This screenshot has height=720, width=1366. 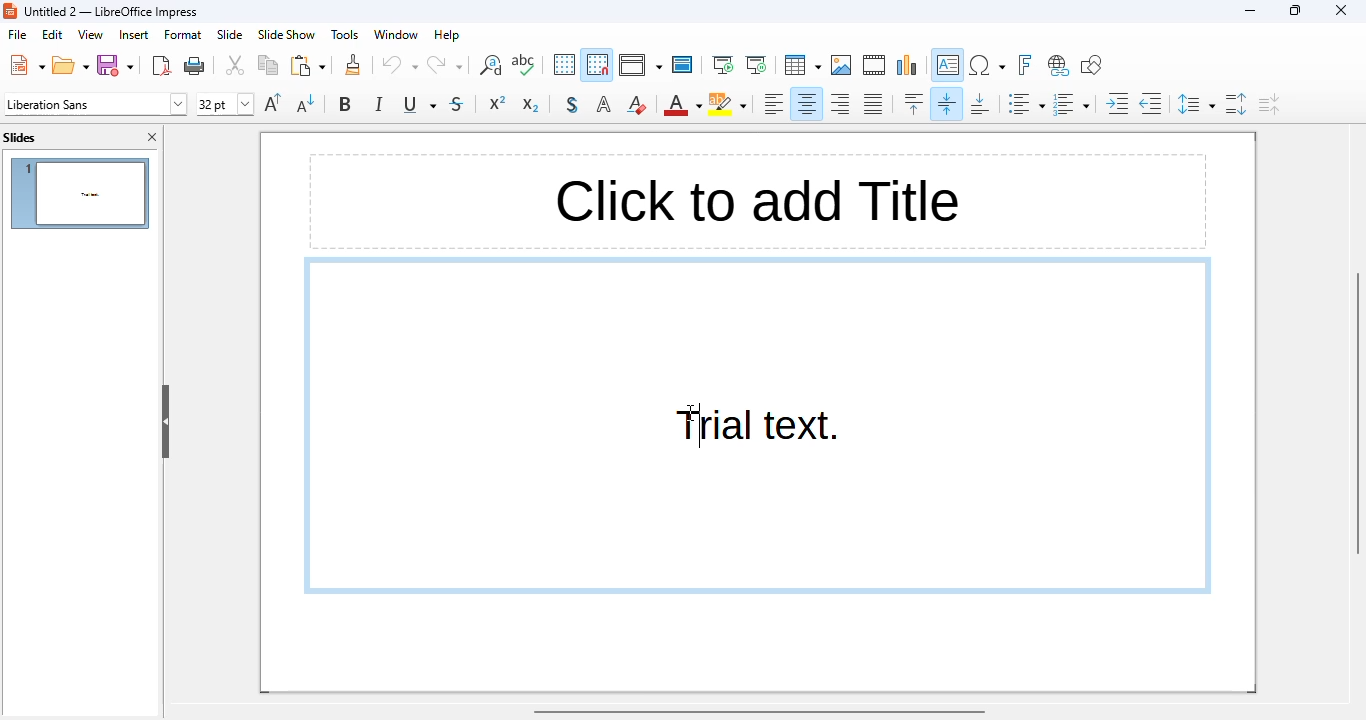 What do you see at coordinates (91, 34) in the screenshot?
I see `view` at bounding box center [91, 34].